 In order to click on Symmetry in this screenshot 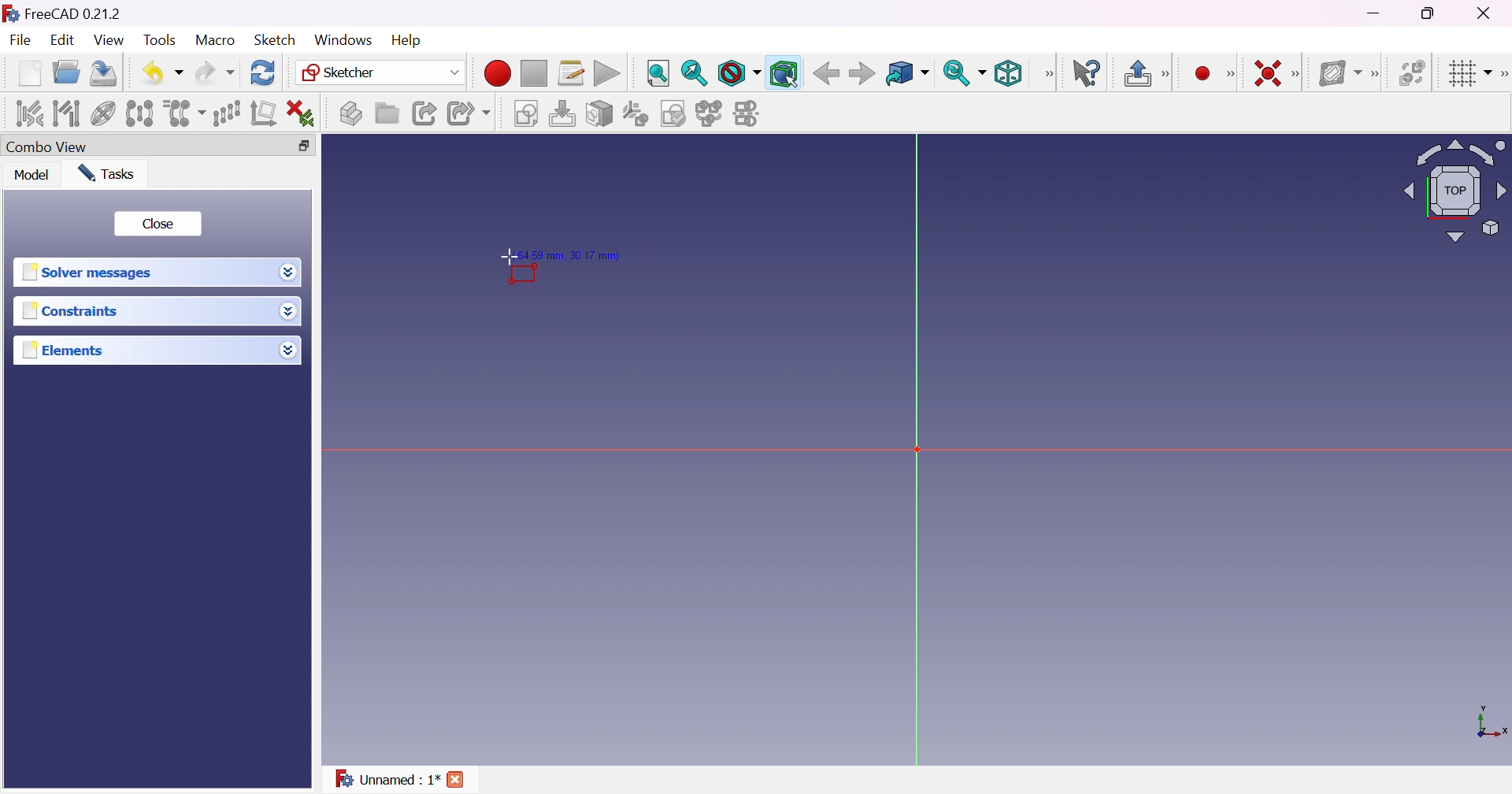, I will do `click(139, 113)`.